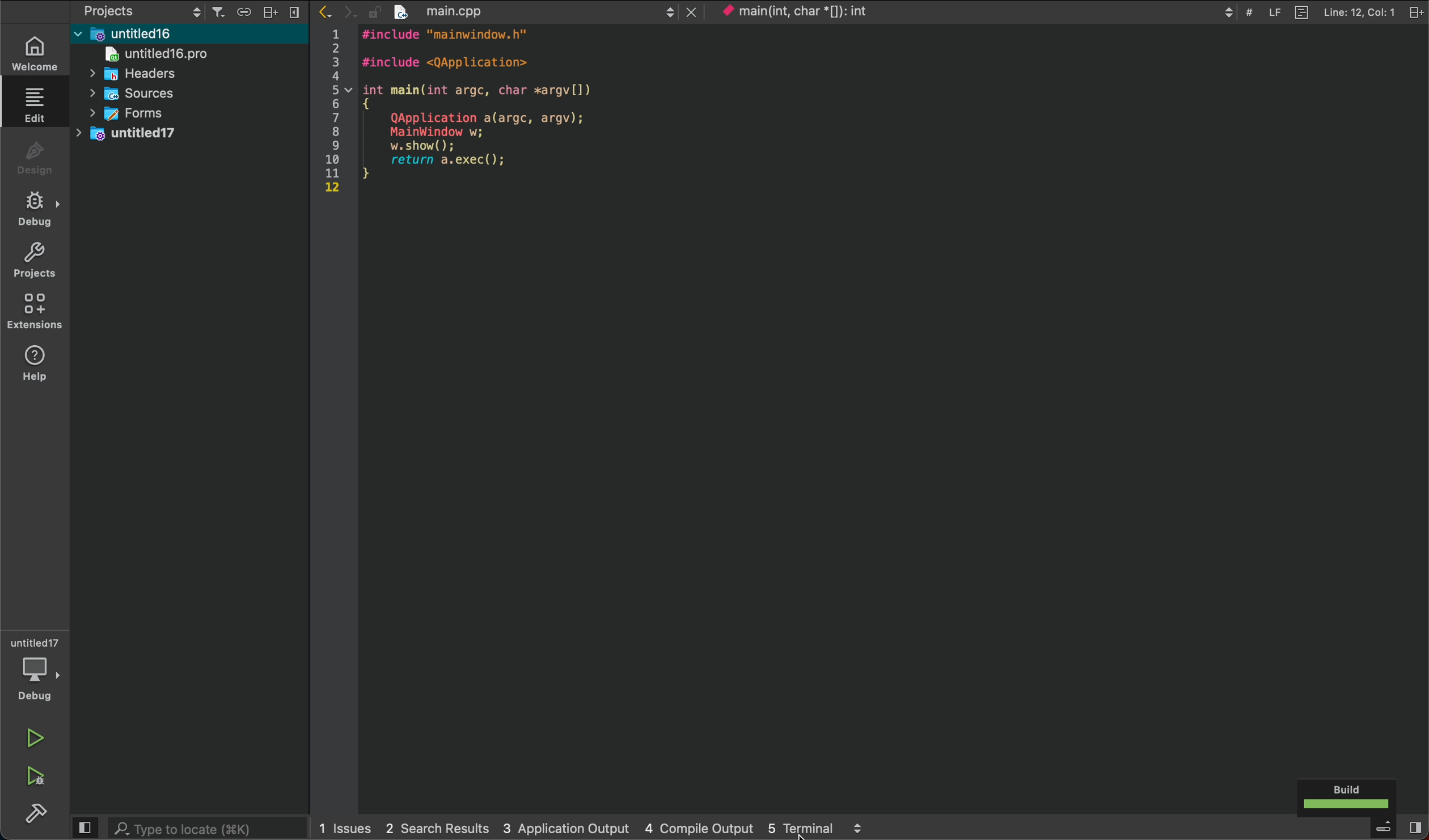 The image size is (1429, 840). Describe the element at coordinates (32, 777) in the screenshot. I see `run and debug` at that location.